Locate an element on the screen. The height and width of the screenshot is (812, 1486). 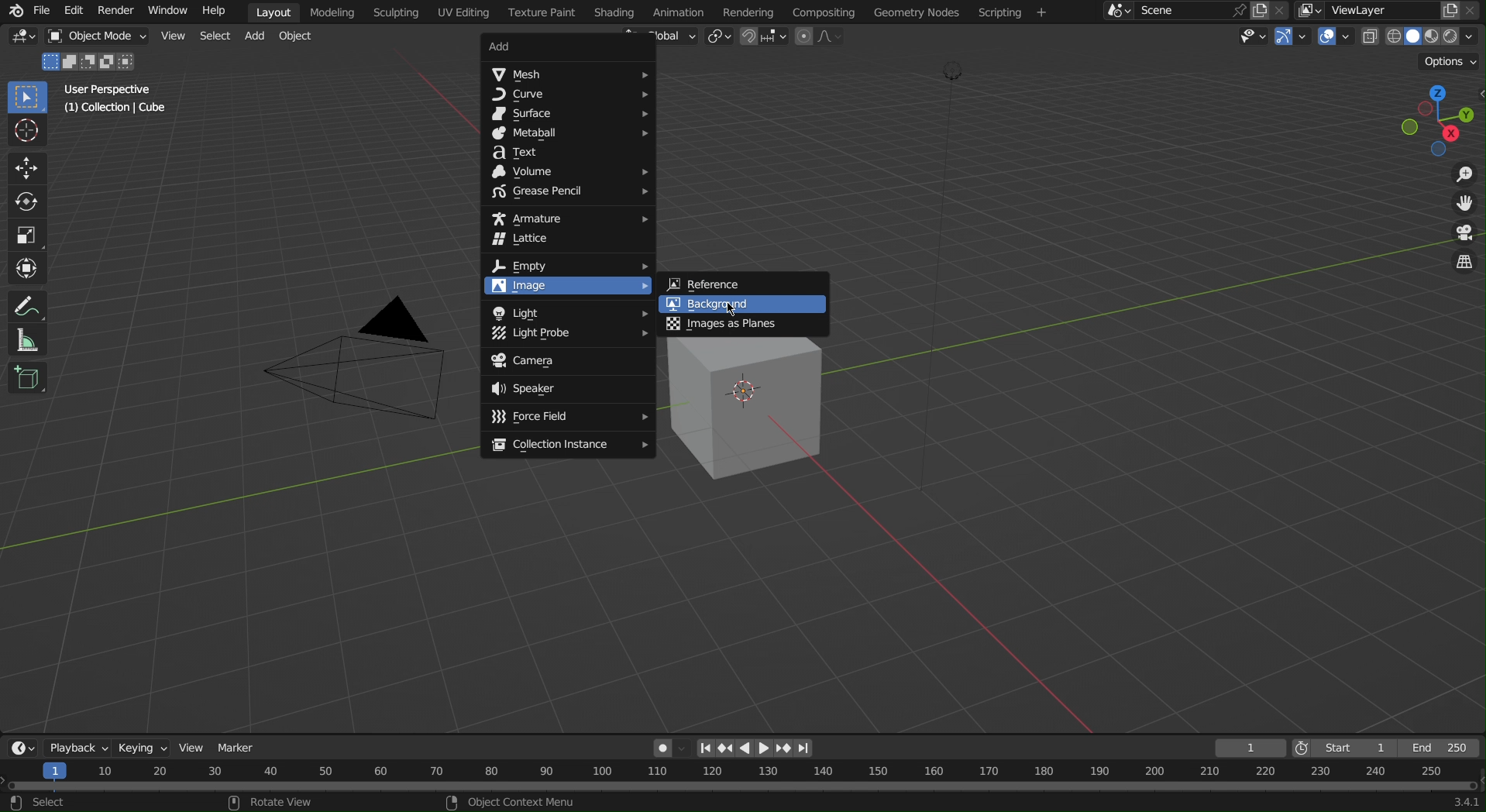
Show Overlays is located at coordinates (1336, 38).